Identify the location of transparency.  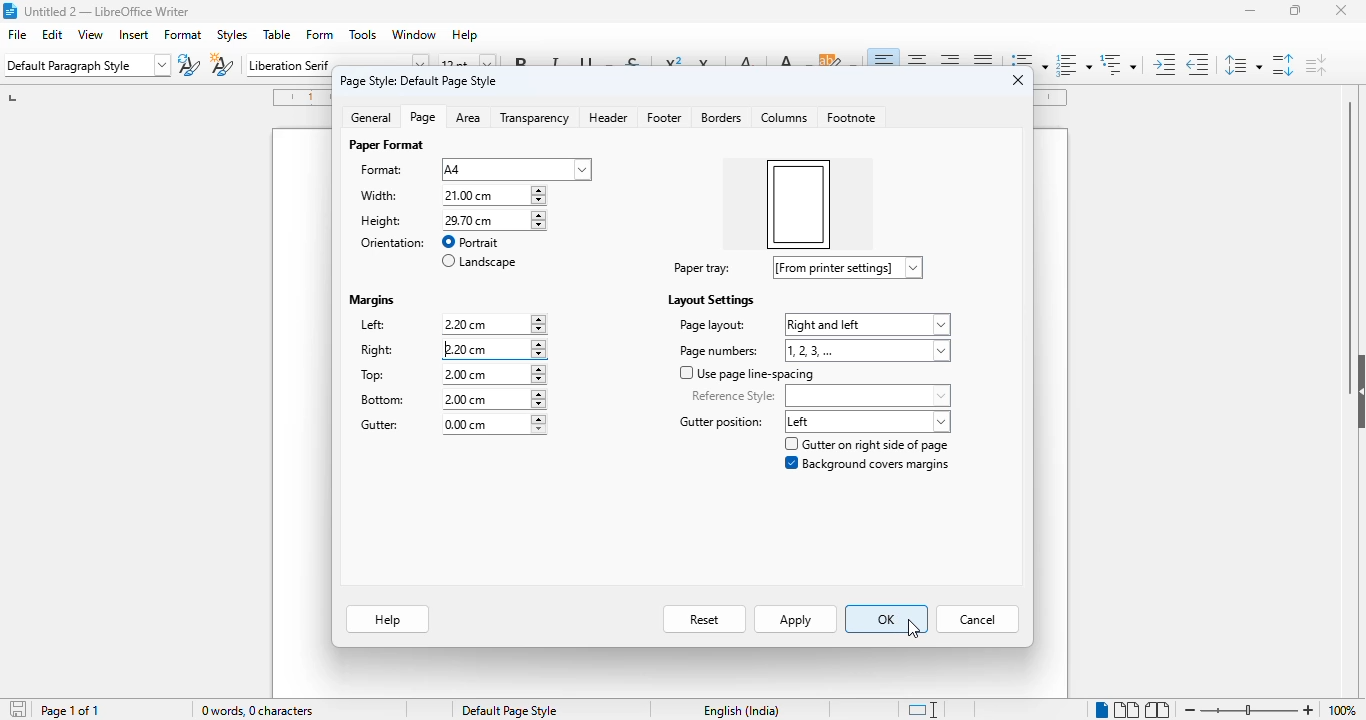
(535, 118).